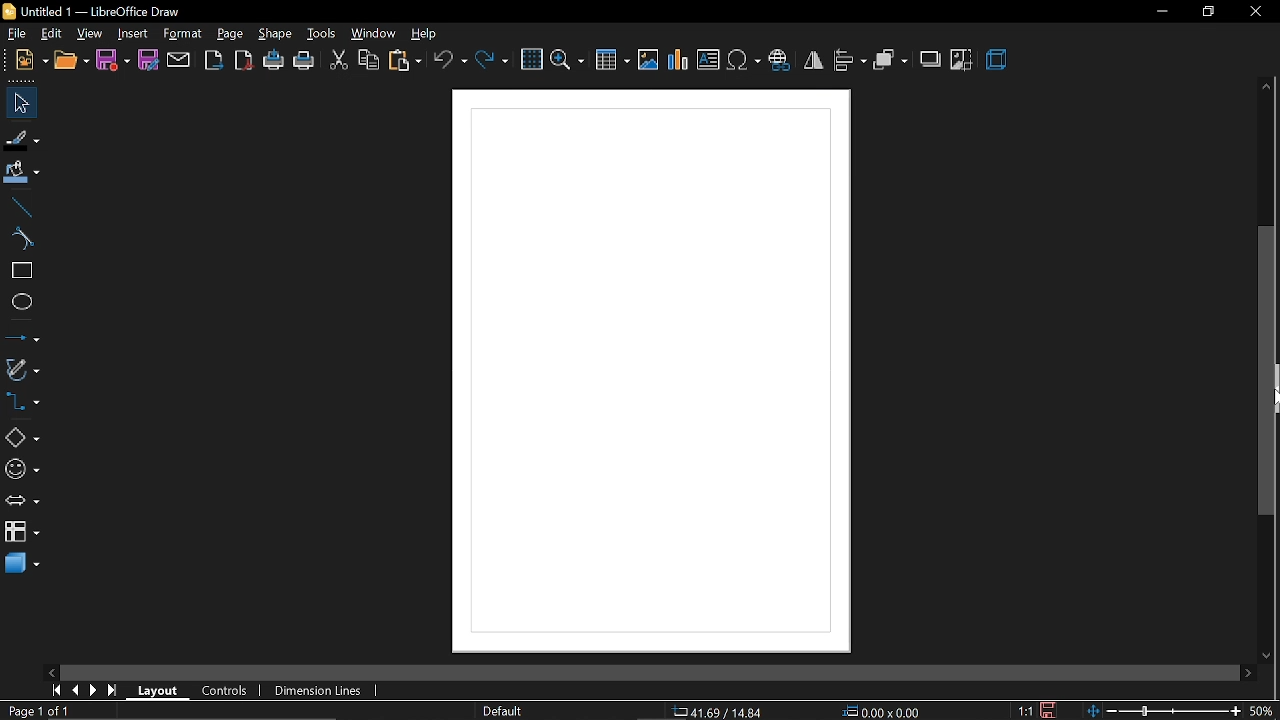 This screenshot has width=1280, height=720. I want to click on tools, so click(324, 35).